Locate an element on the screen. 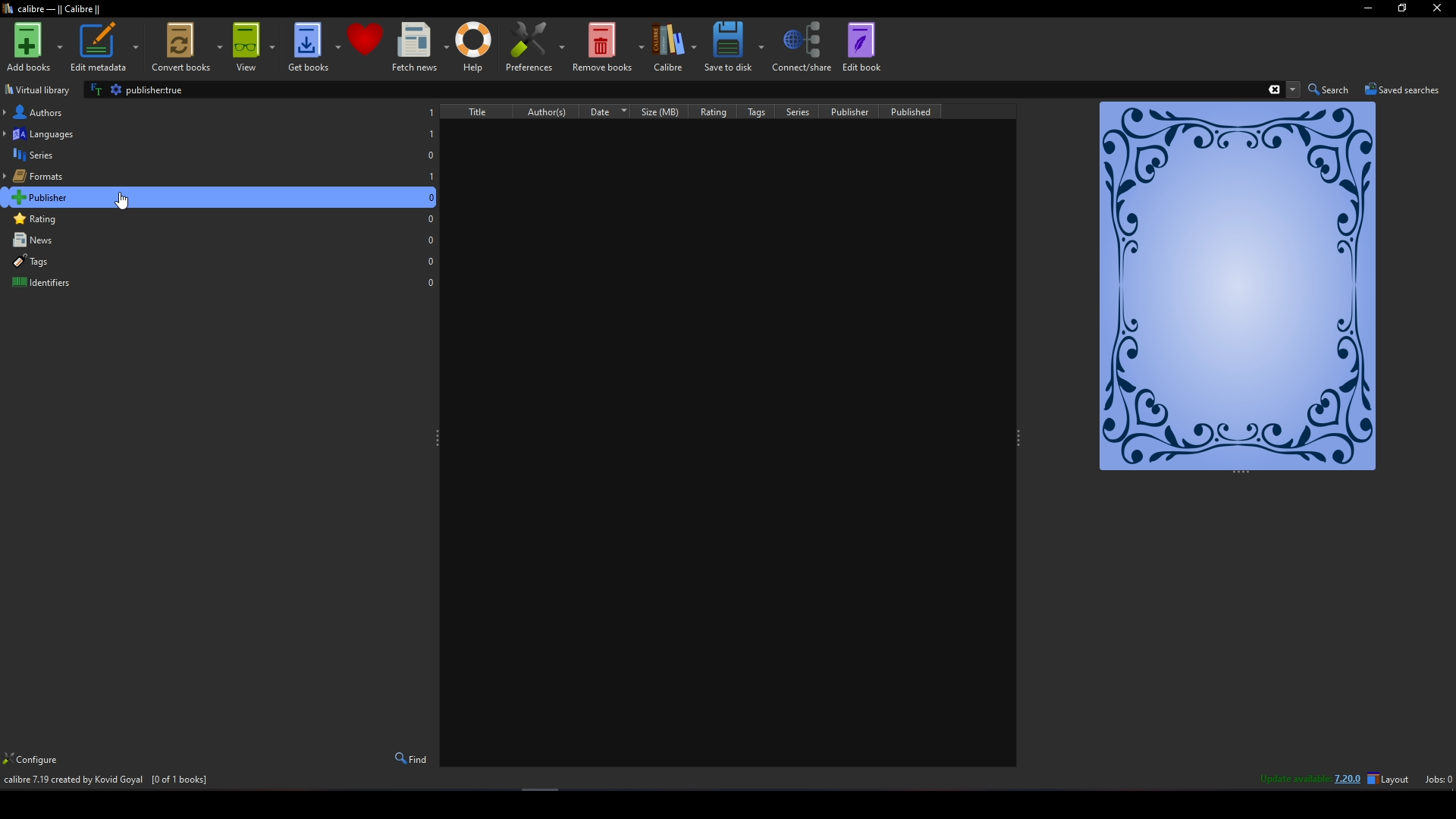  Minimize is located at coordinates (1368, 9).